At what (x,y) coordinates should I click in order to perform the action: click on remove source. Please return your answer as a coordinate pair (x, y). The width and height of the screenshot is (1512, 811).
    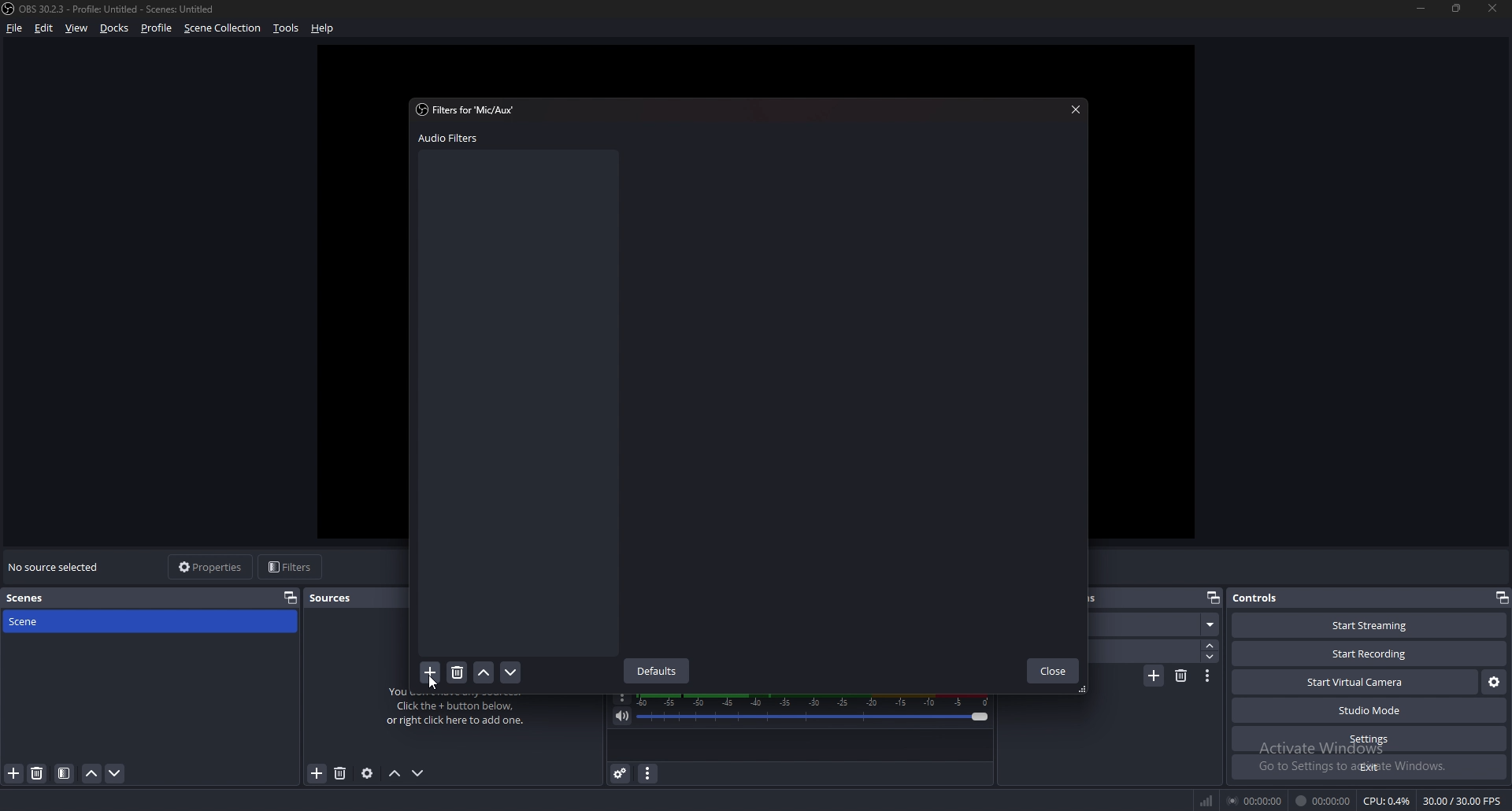
    Looking at the image, I should click on (317, 773).